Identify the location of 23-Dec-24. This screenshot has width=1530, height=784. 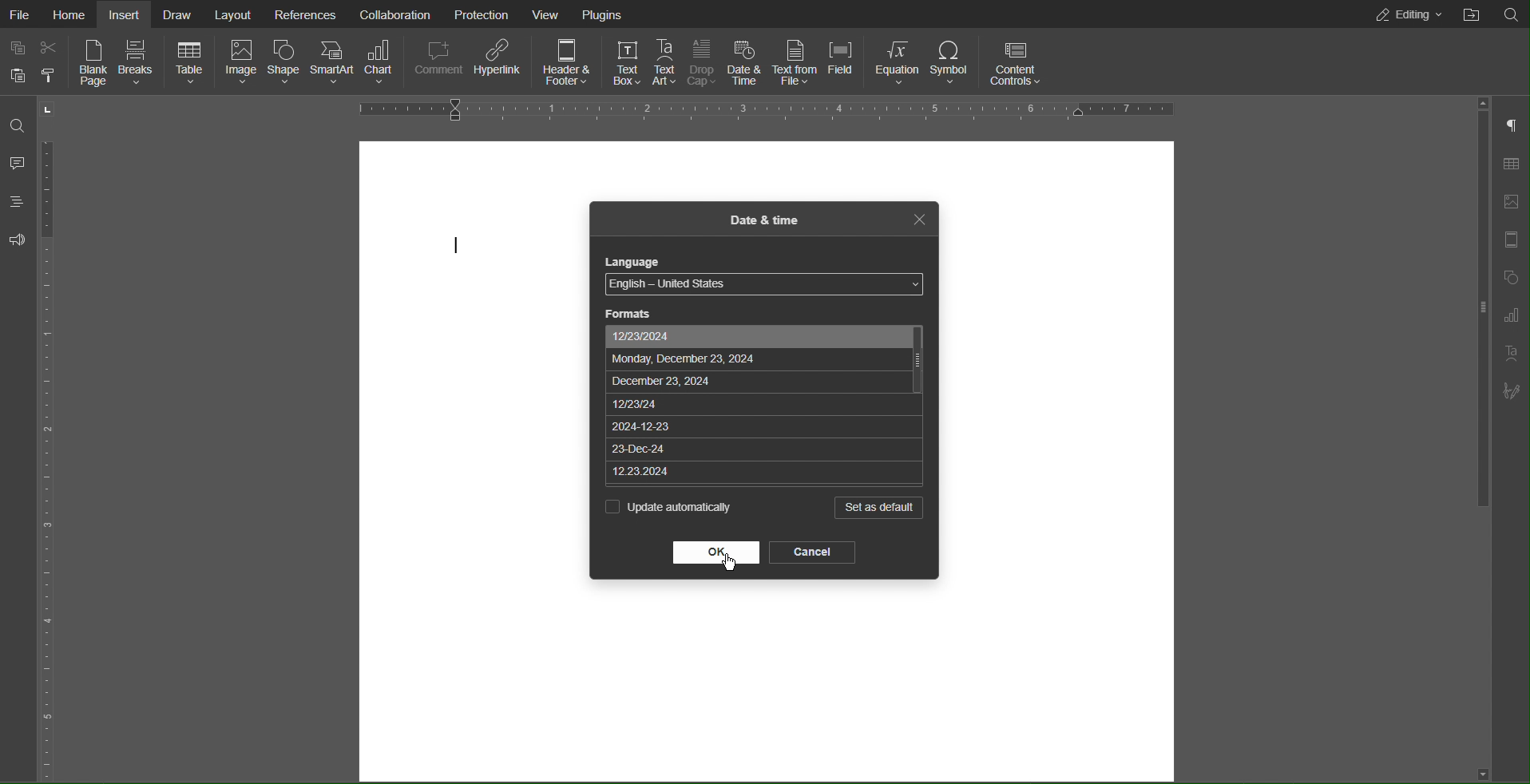
(761, 447).